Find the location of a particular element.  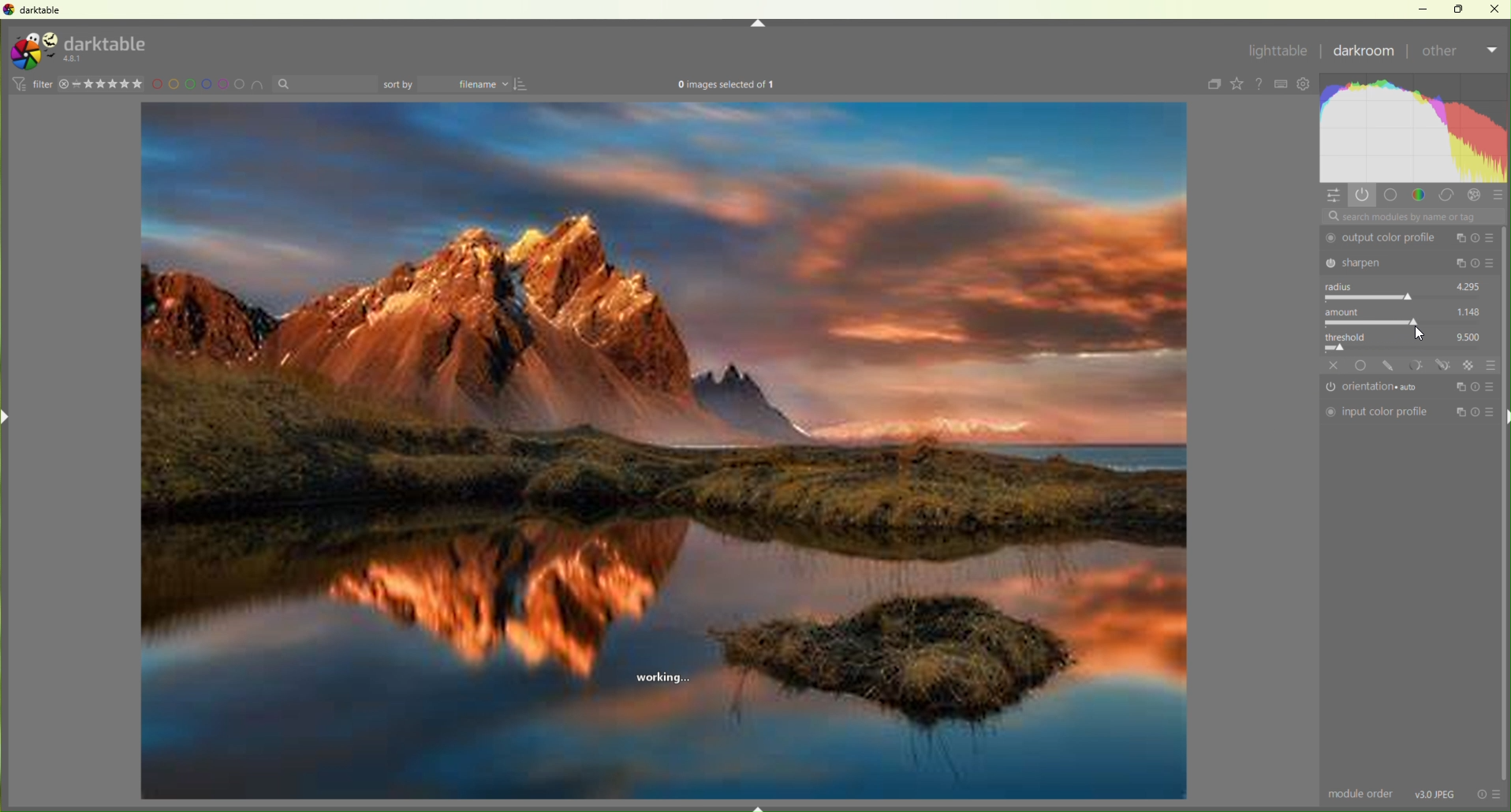

filter by images color label is located at coordinates (210, 84).